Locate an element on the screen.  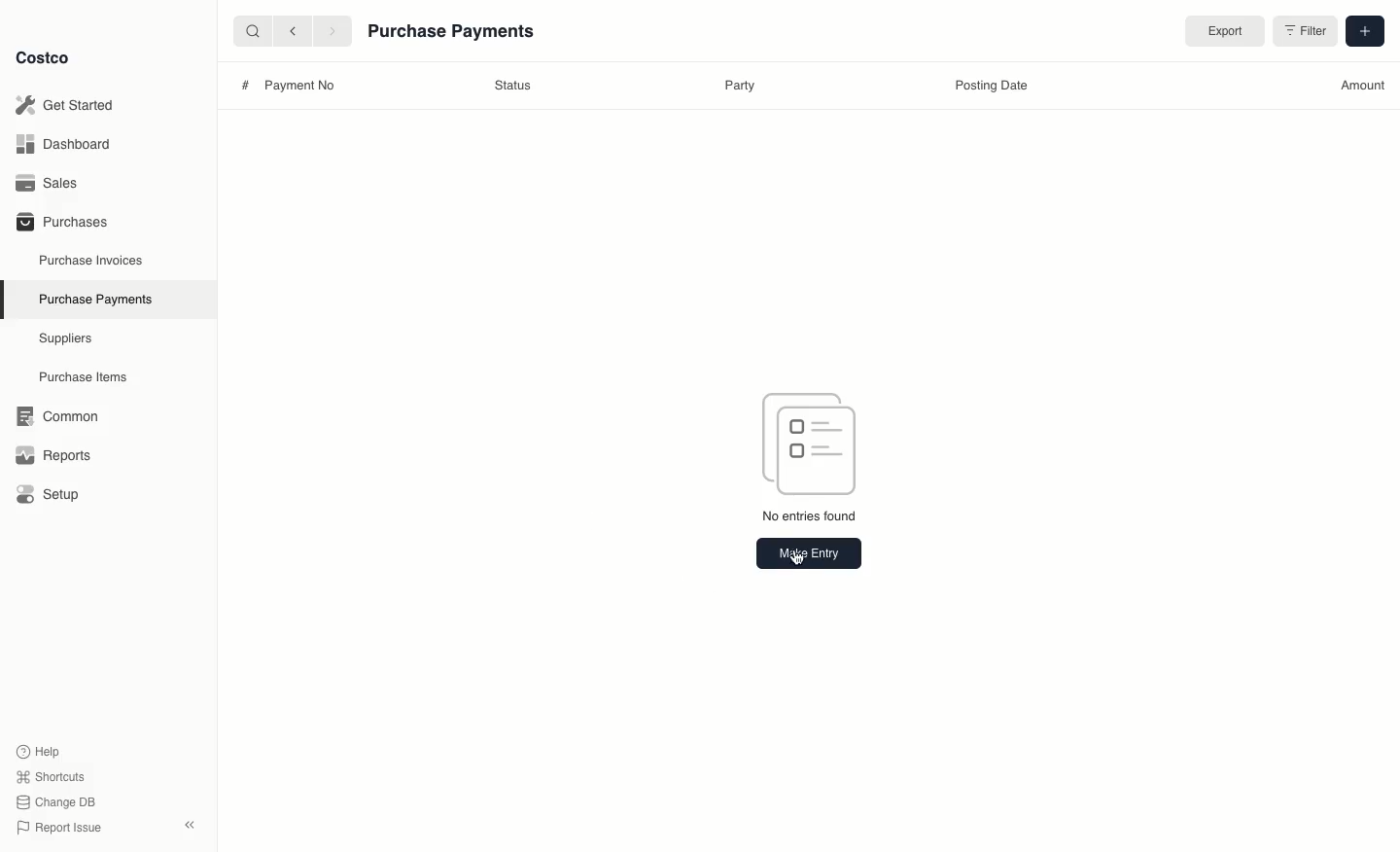
Report Issue is located at coordinates (59, 829).